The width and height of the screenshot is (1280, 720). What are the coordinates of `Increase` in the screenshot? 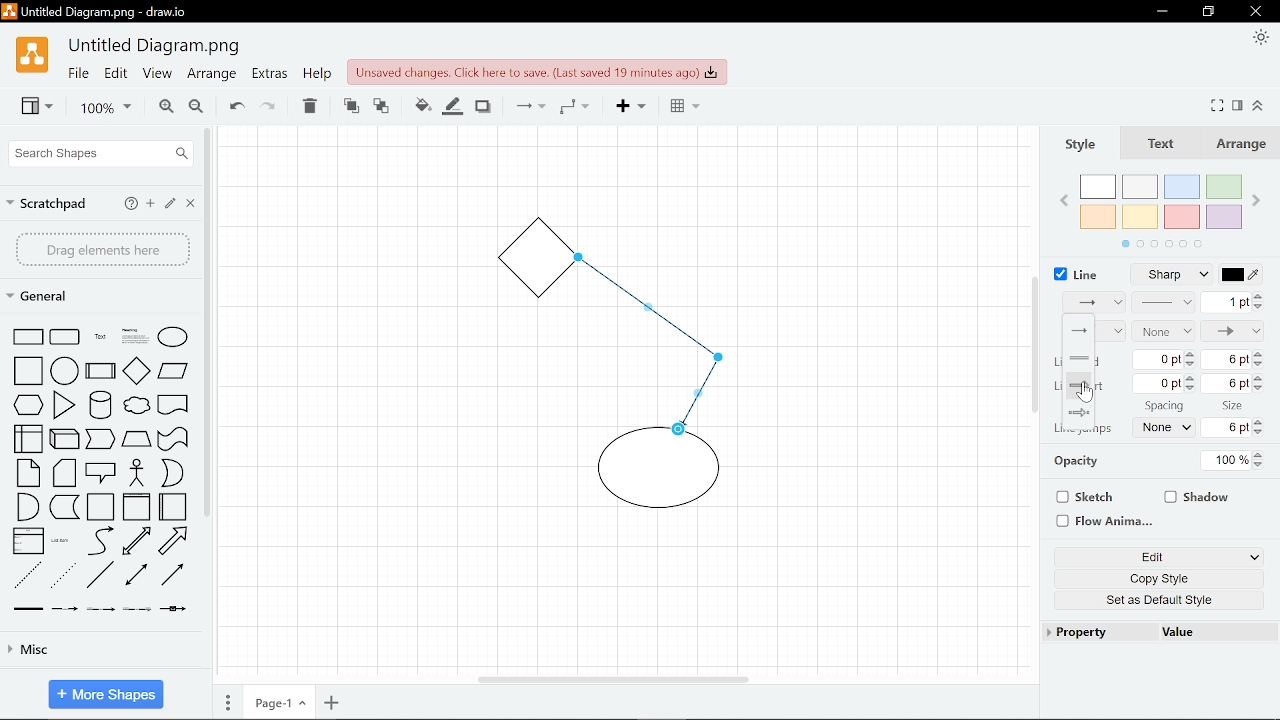 It's located at (1192, 379).